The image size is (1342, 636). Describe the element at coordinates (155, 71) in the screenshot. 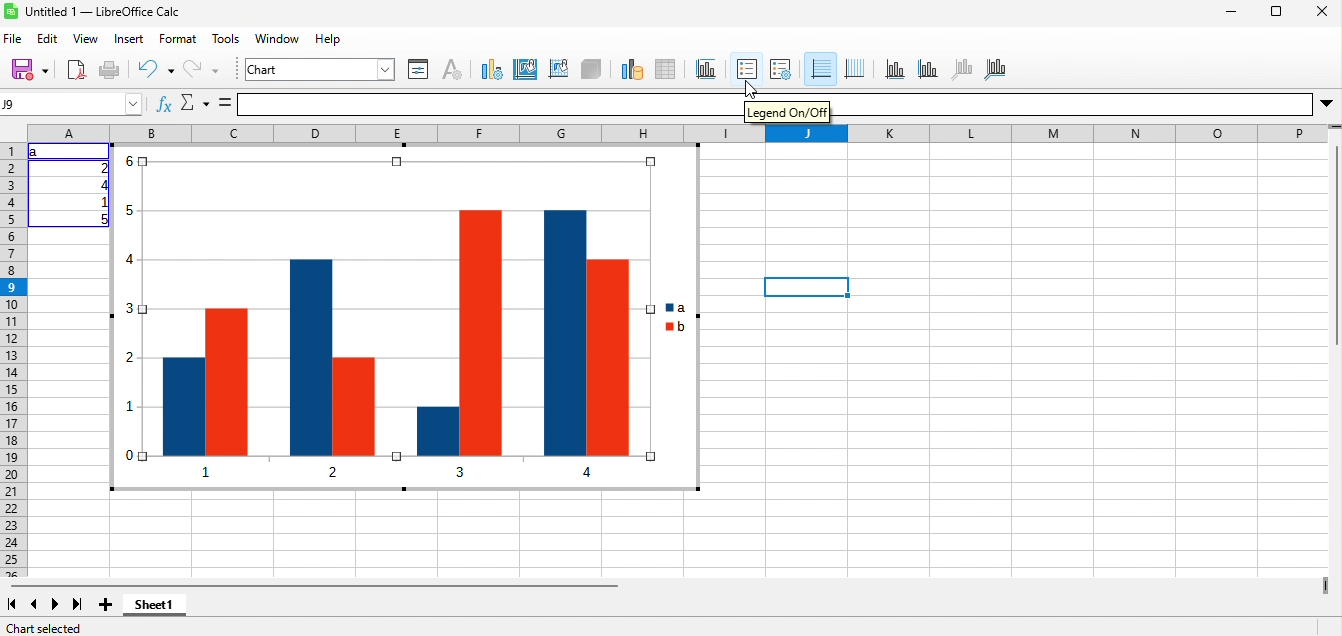

I see `undo` at that location.